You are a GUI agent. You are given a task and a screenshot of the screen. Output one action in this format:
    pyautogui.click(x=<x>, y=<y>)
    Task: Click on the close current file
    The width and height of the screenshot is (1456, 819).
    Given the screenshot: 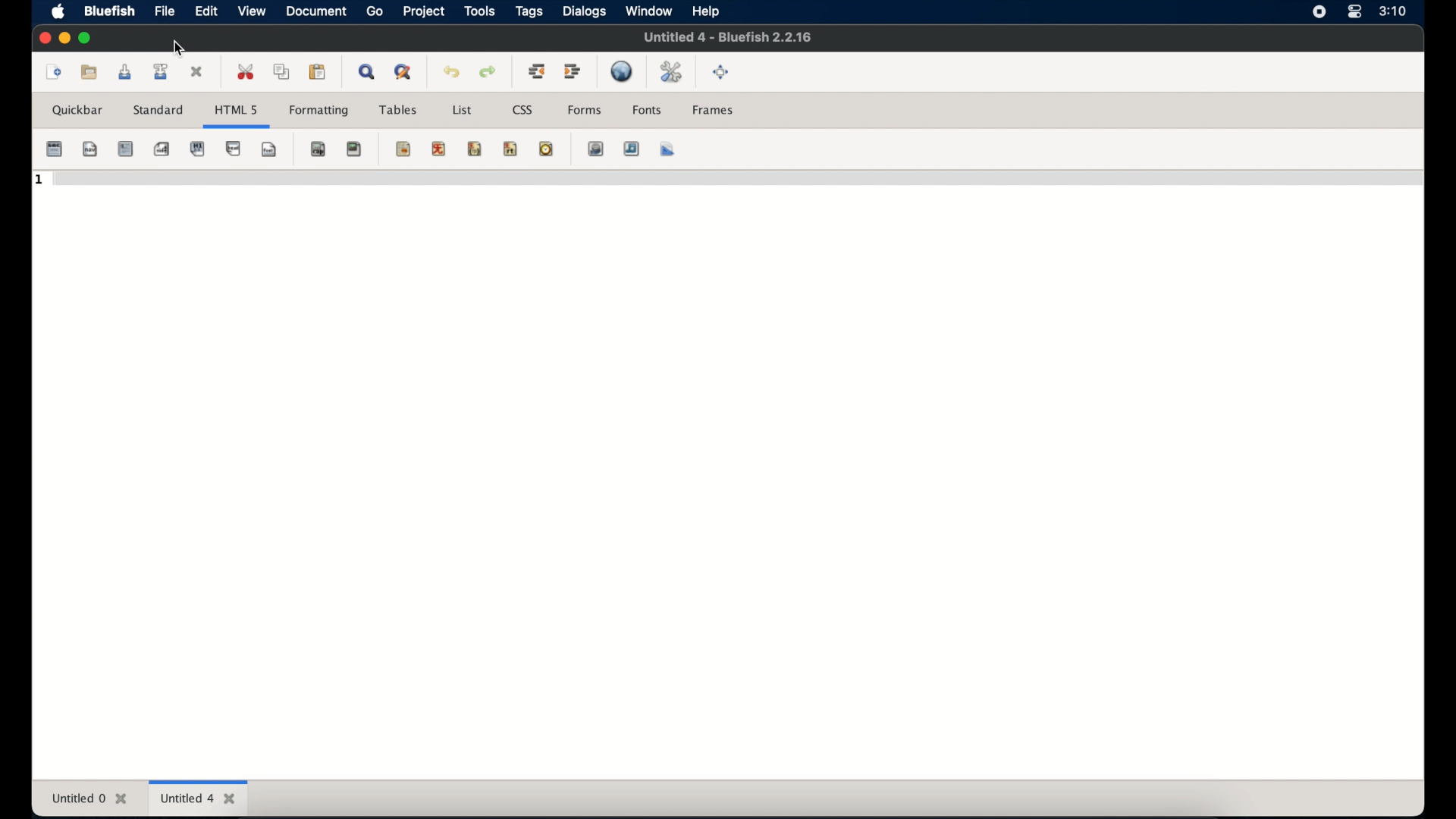 What is the action you would take?
    pyautogui.click(x=198, y=73)
    